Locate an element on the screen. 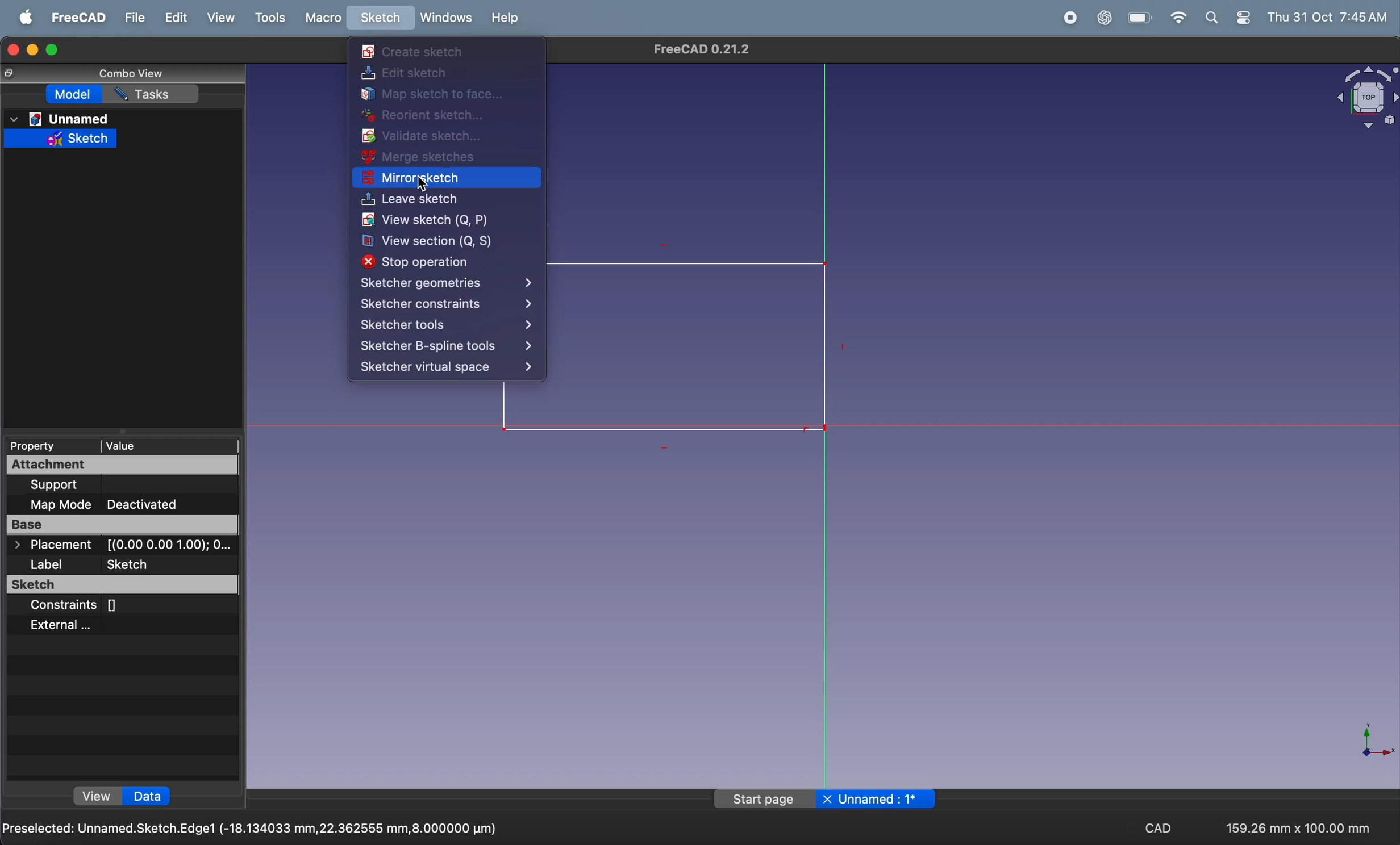 Image resolution: width=1400 pixels, height=845 pixels. tools is located at coordinates (267, 19).